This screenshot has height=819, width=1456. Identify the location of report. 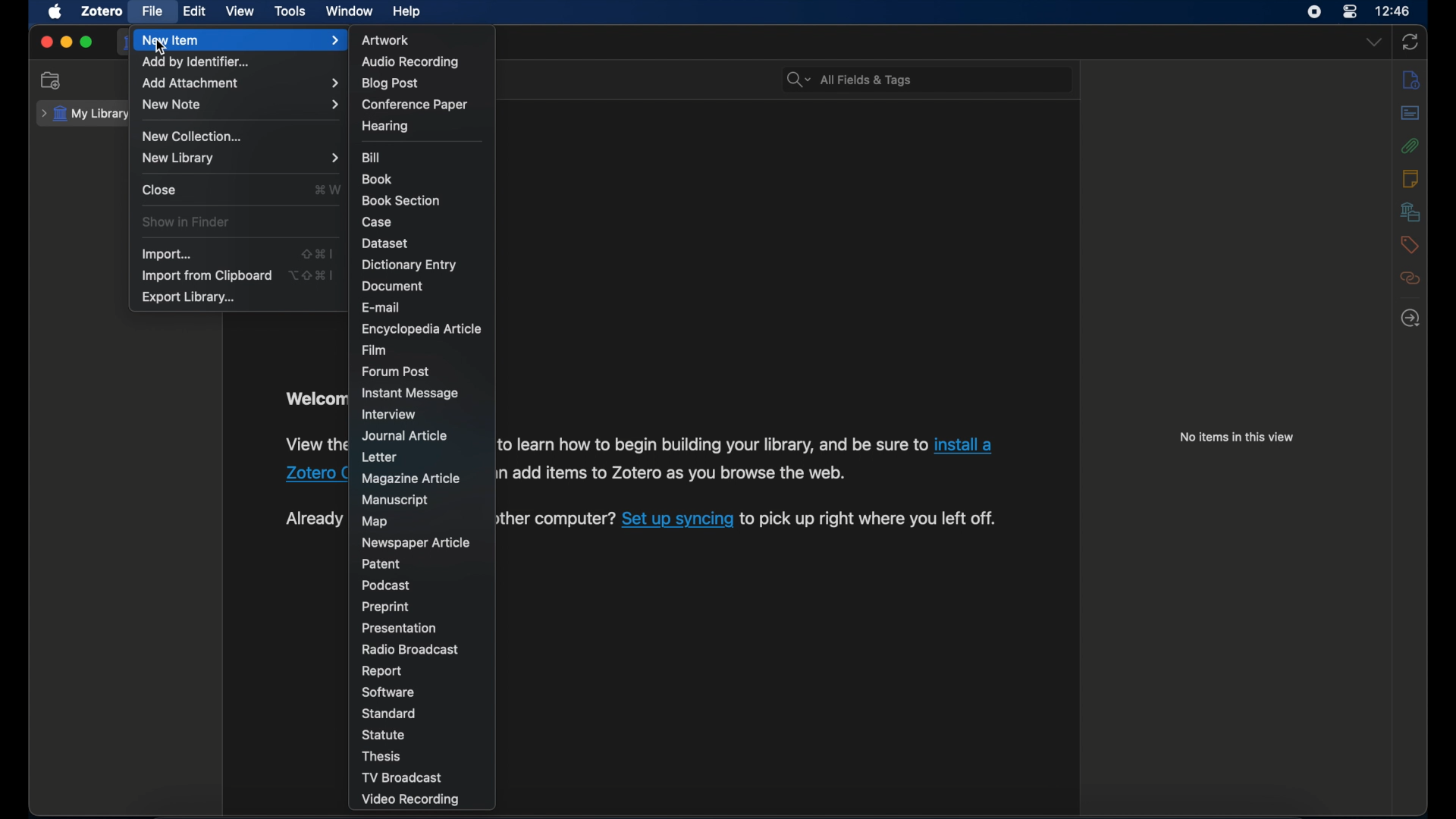
(381, 671).